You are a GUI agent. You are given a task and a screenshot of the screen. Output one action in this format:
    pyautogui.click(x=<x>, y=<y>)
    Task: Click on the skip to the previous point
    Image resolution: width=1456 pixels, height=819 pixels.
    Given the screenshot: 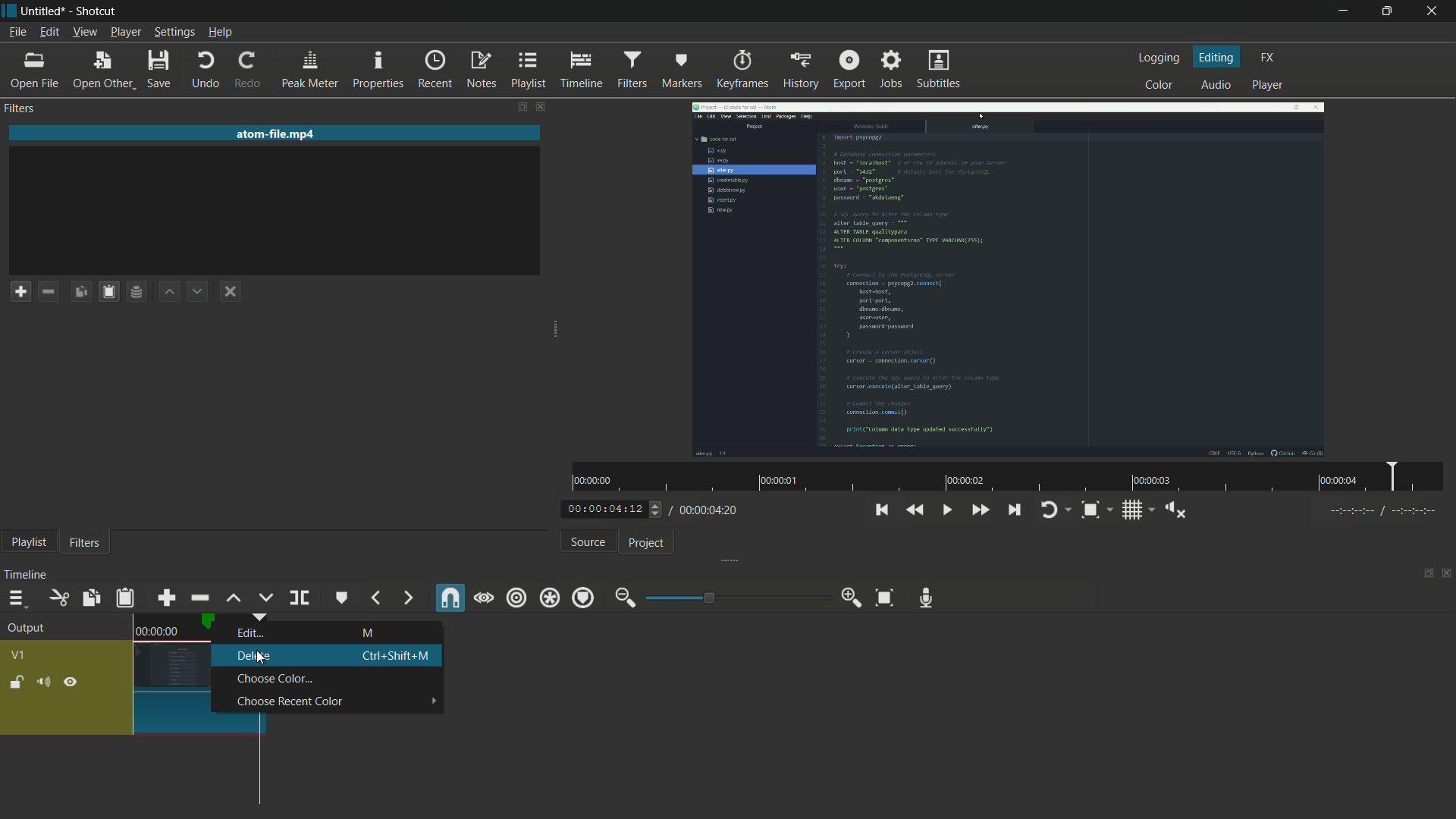 What is the action you would take?
    pyautogui.click(x=884, y=510)
    